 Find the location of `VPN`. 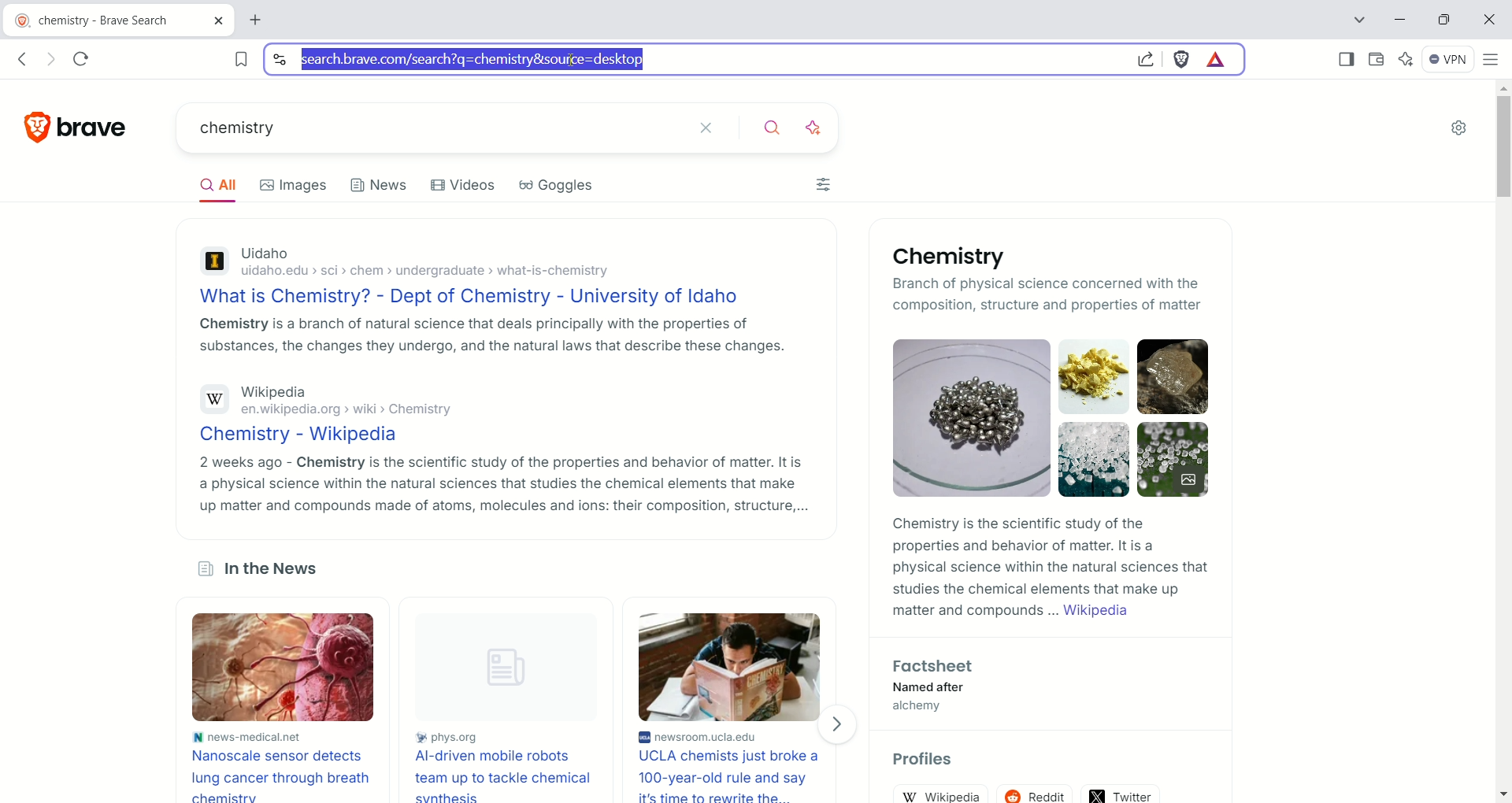

VPN is located at coordinates (1449, 60).